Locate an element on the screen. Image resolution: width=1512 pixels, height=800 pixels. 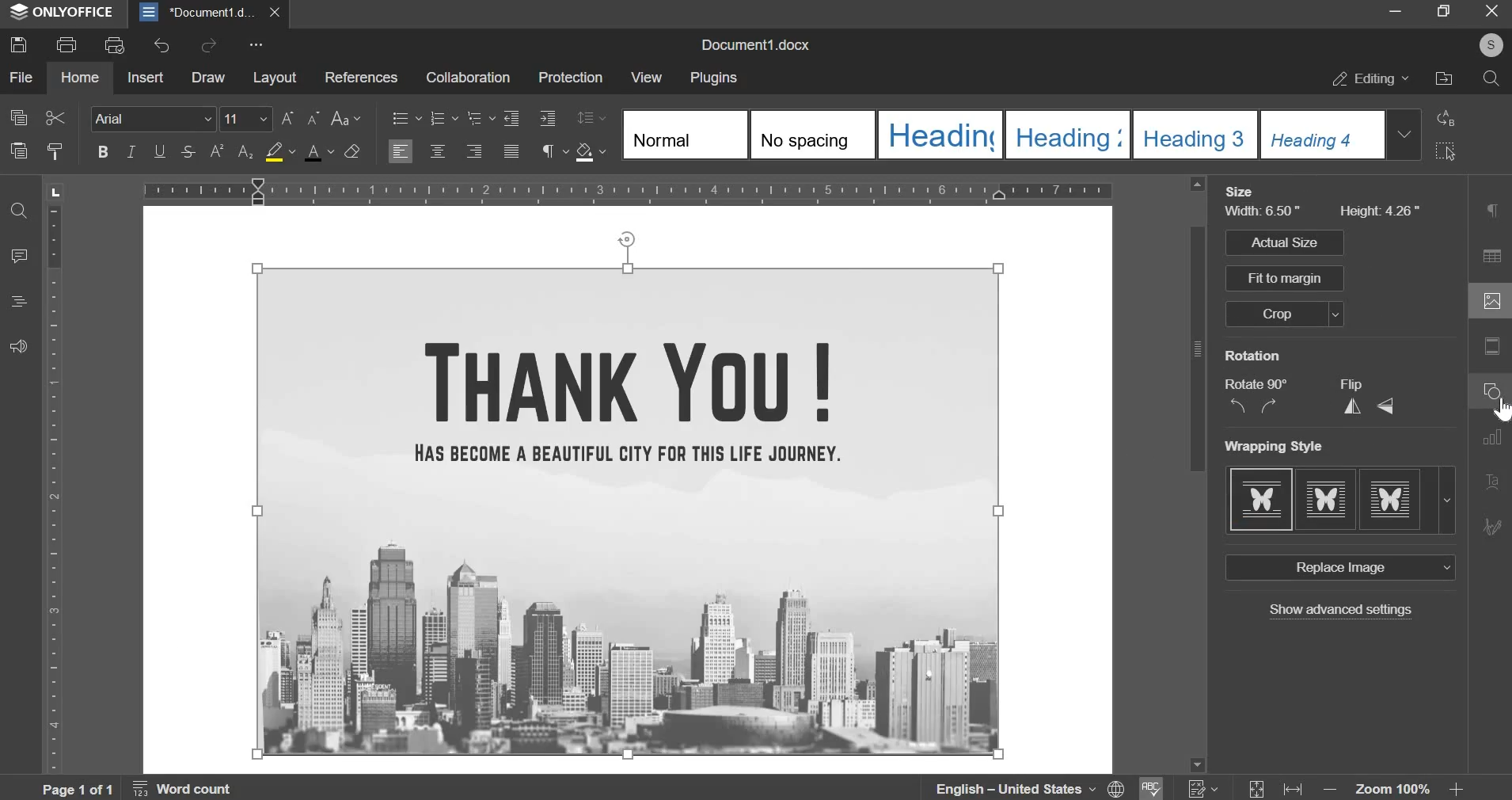
save is located at coordinates (18, 45).